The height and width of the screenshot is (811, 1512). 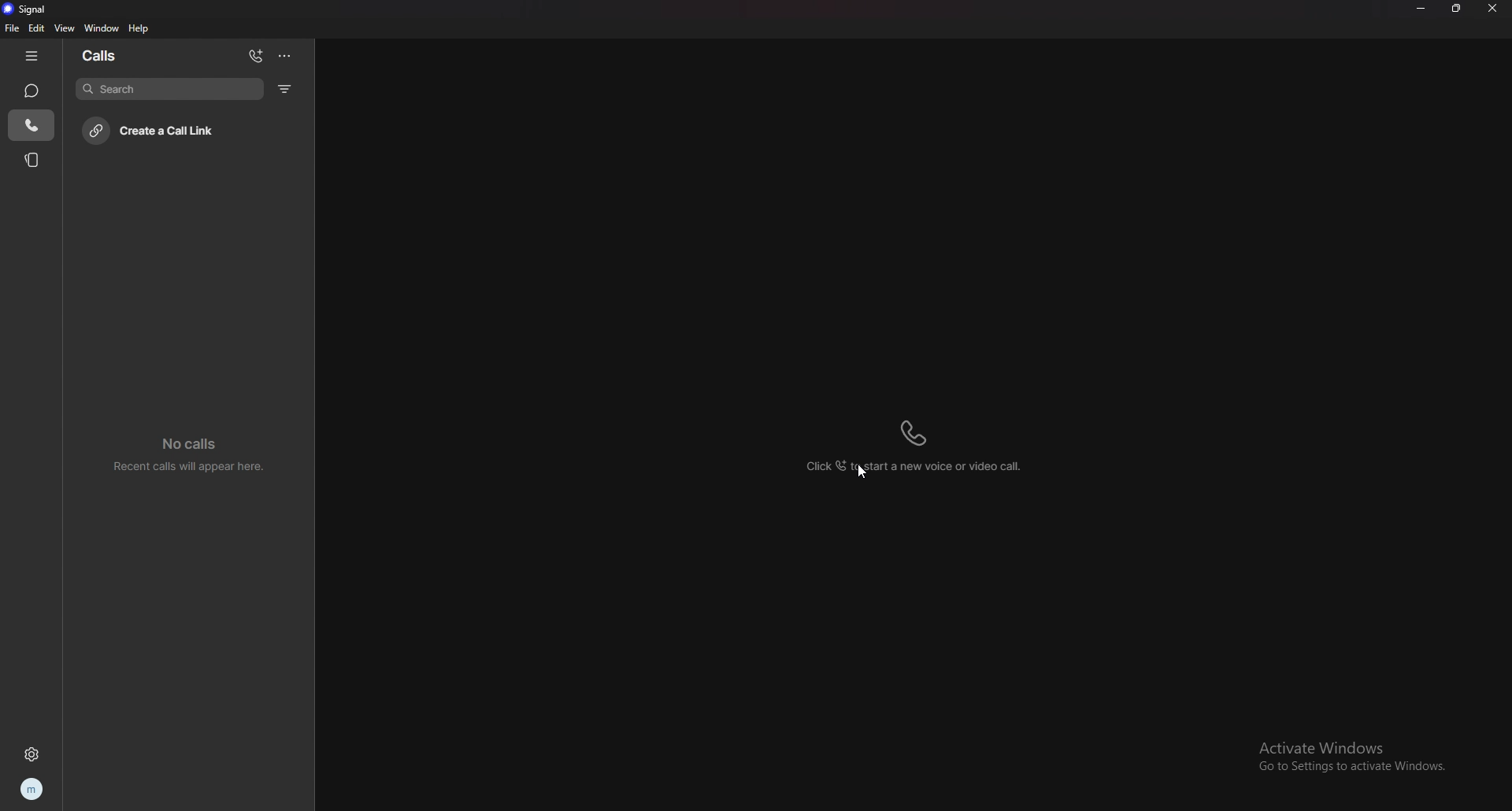 I want to click on window, so click(x=102, y=28).